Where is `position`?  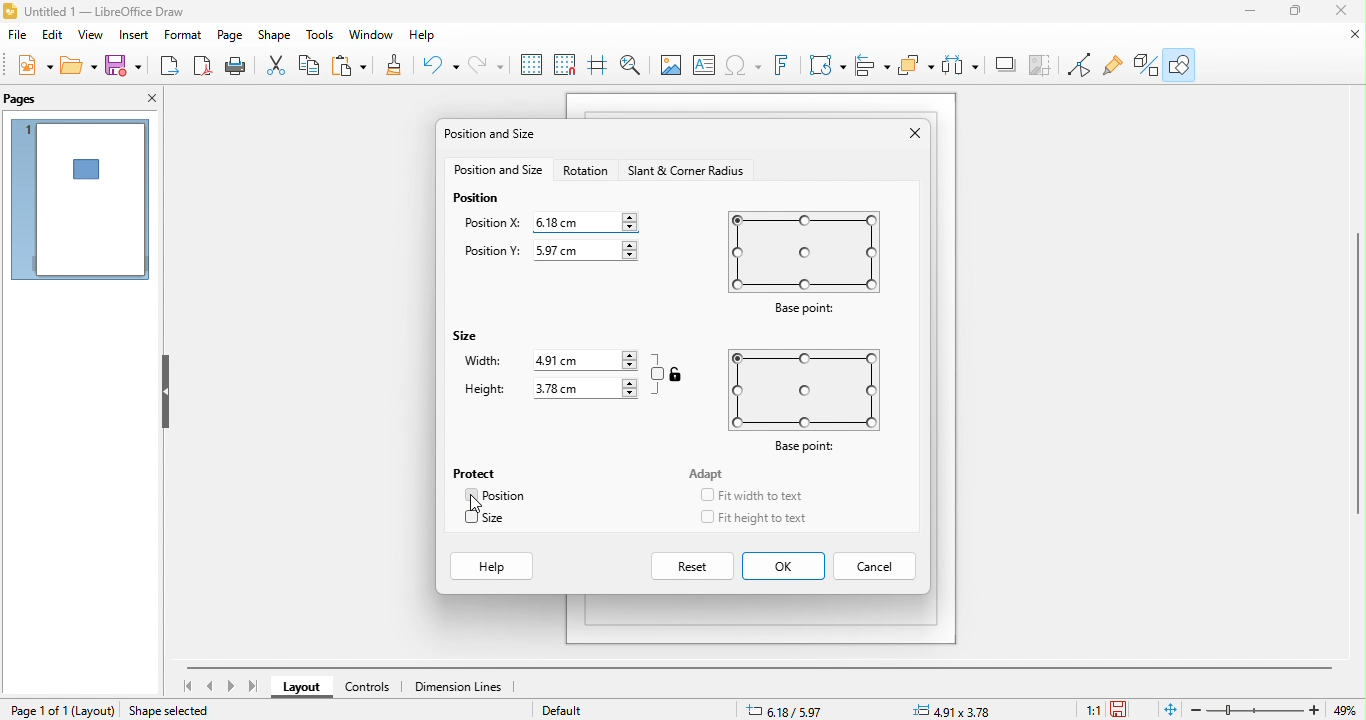 position is located at coordinates (478, 197).